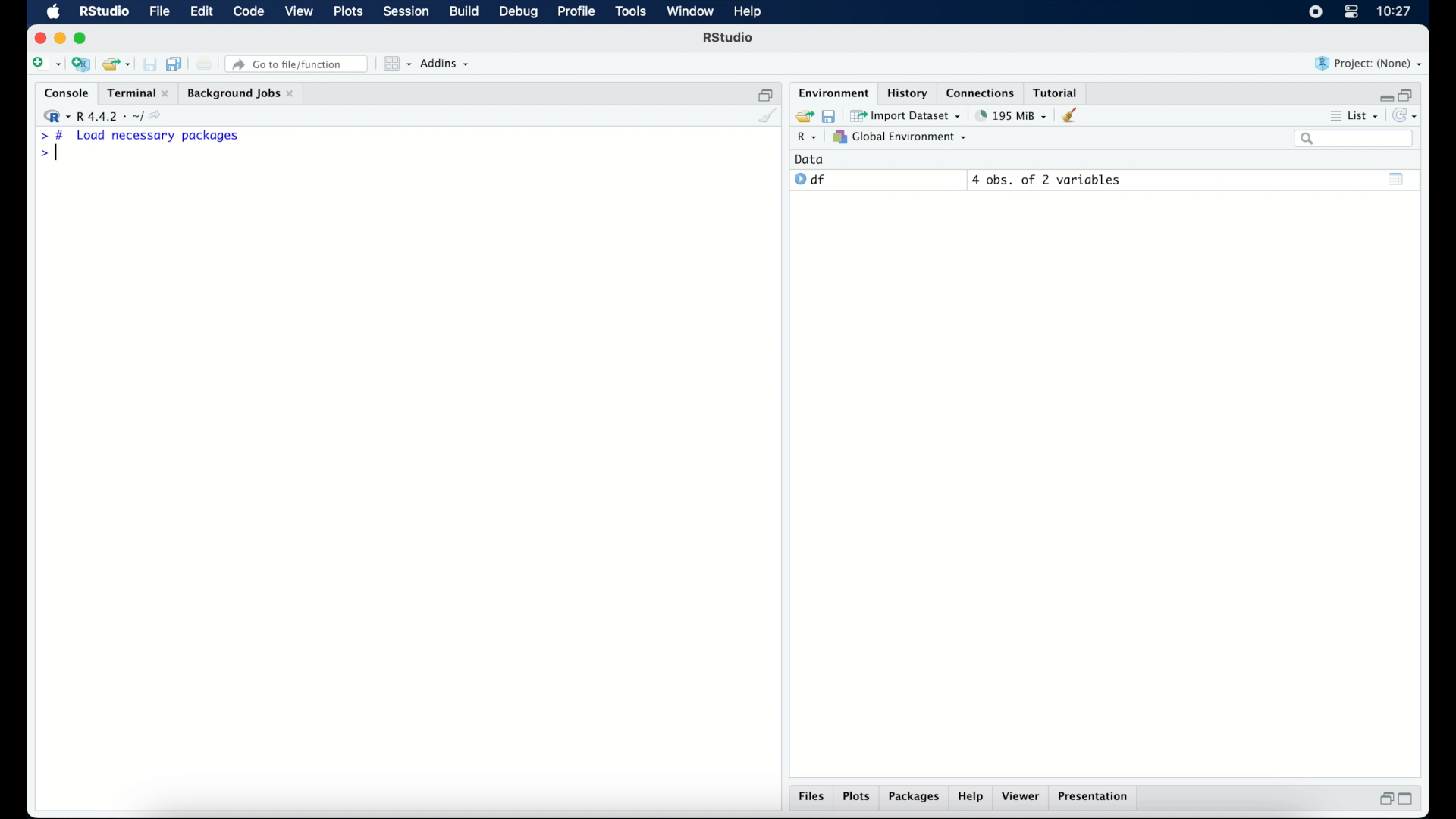 This screenshot has height=819, width=1456. What do you see at coordinates (831, 92) in the screenshot?
I see `environment` at bounding box center [831, 92].